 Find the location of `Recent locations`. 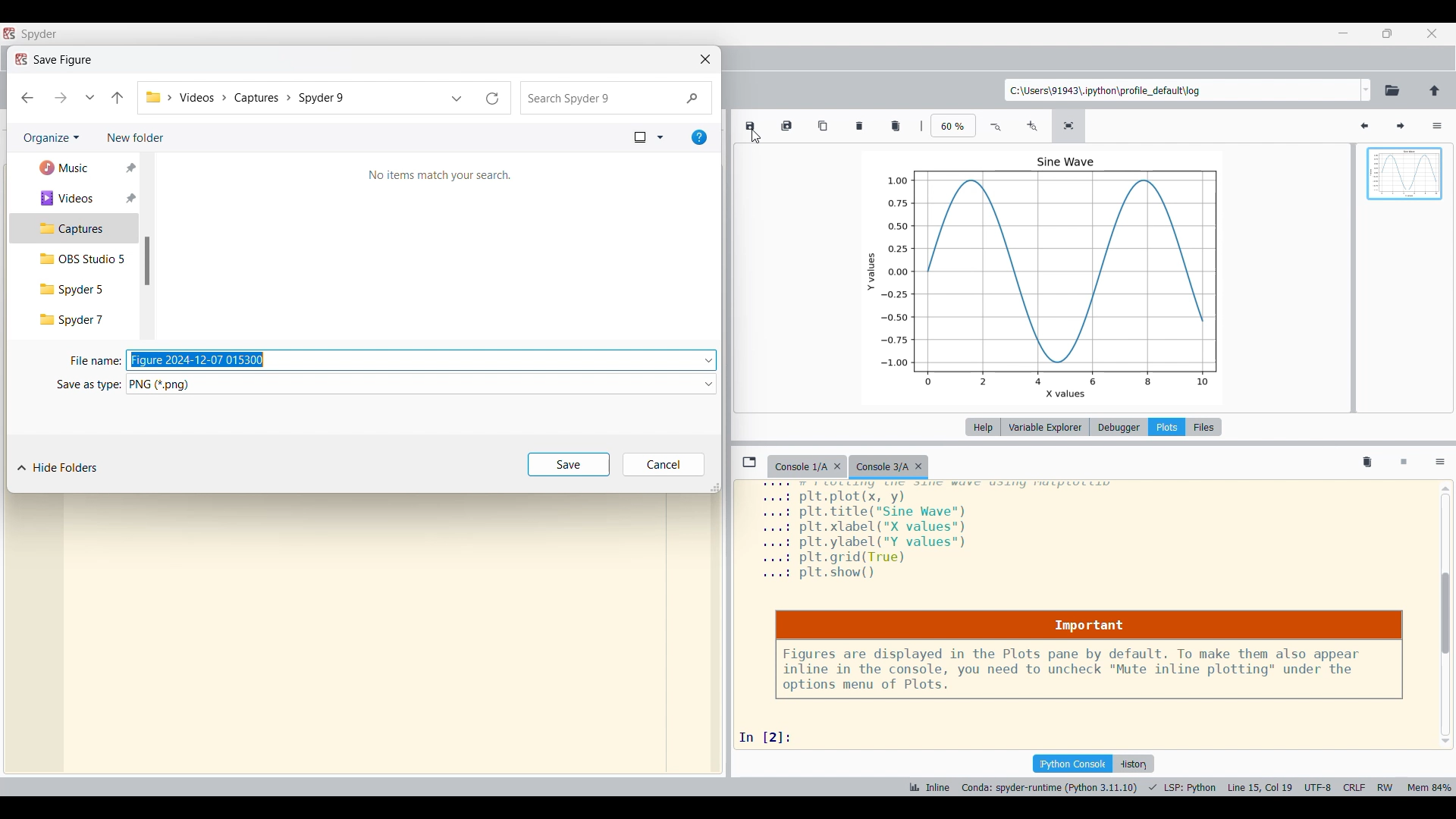

Recent locations is located at coordinates (89, 99).